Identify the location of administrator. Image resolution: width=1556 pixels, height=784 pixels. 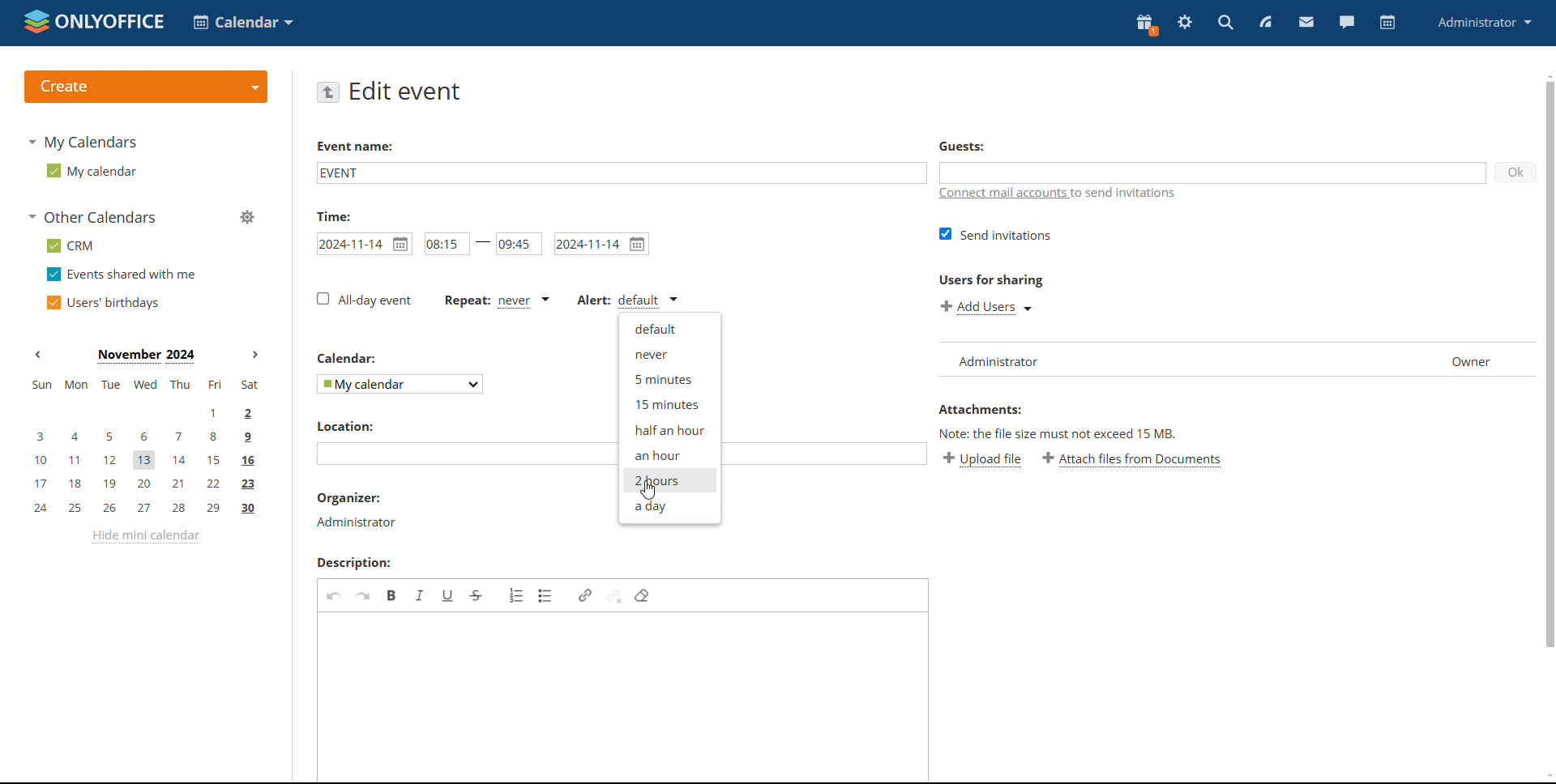
(1483, 21).